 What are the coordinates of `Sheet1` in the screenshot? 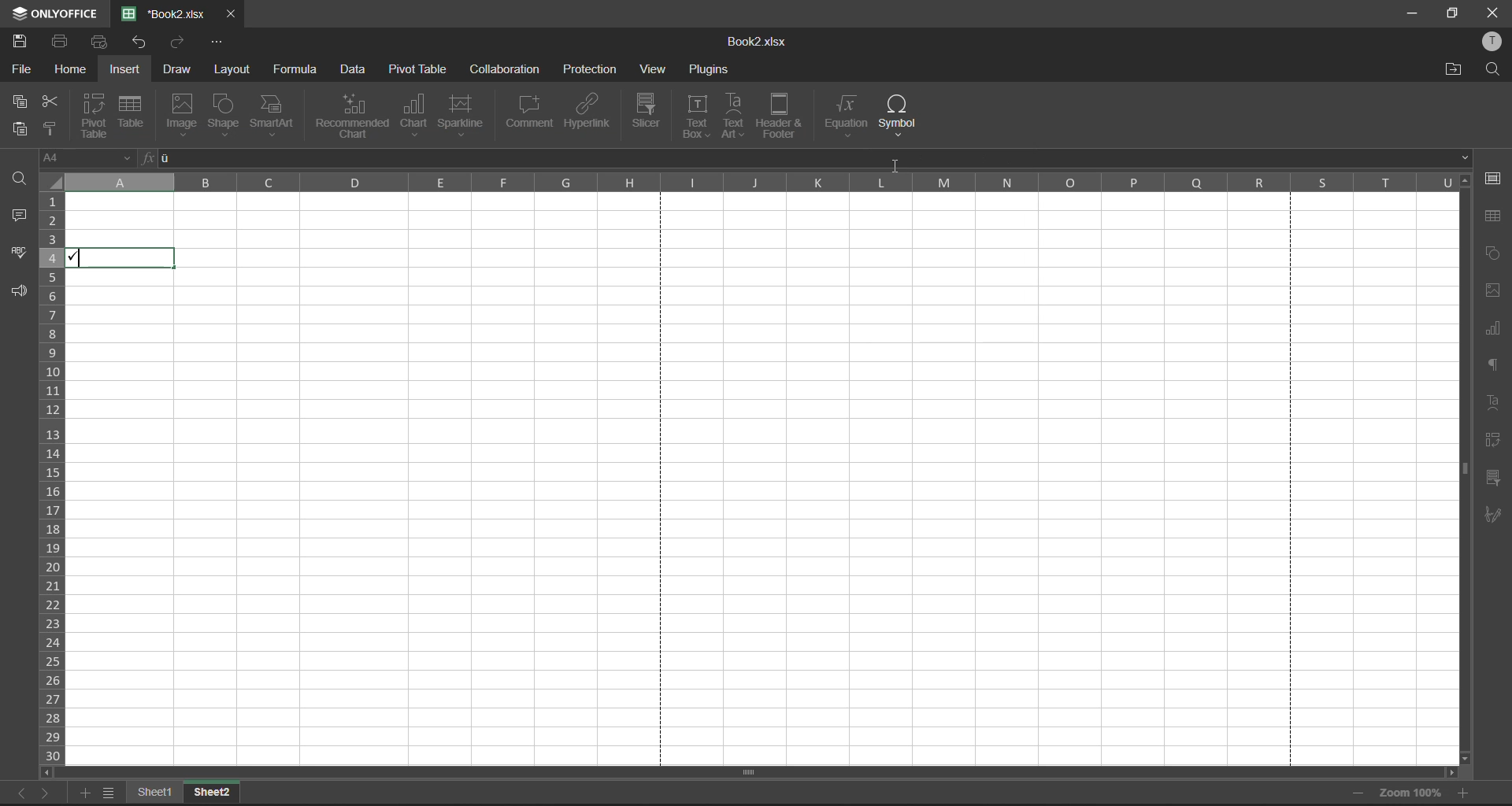 It's located at (154, 792).